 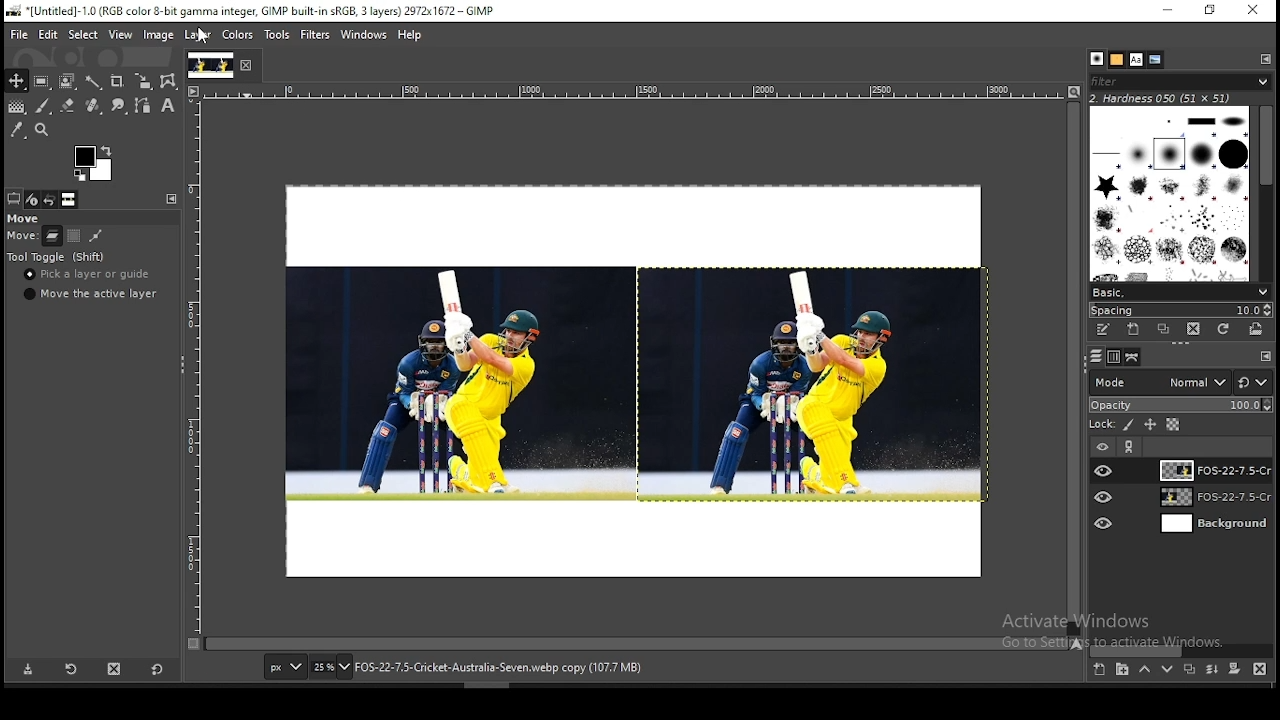 I want to click on layer visibility on/off, so click(x=1105, y=497).